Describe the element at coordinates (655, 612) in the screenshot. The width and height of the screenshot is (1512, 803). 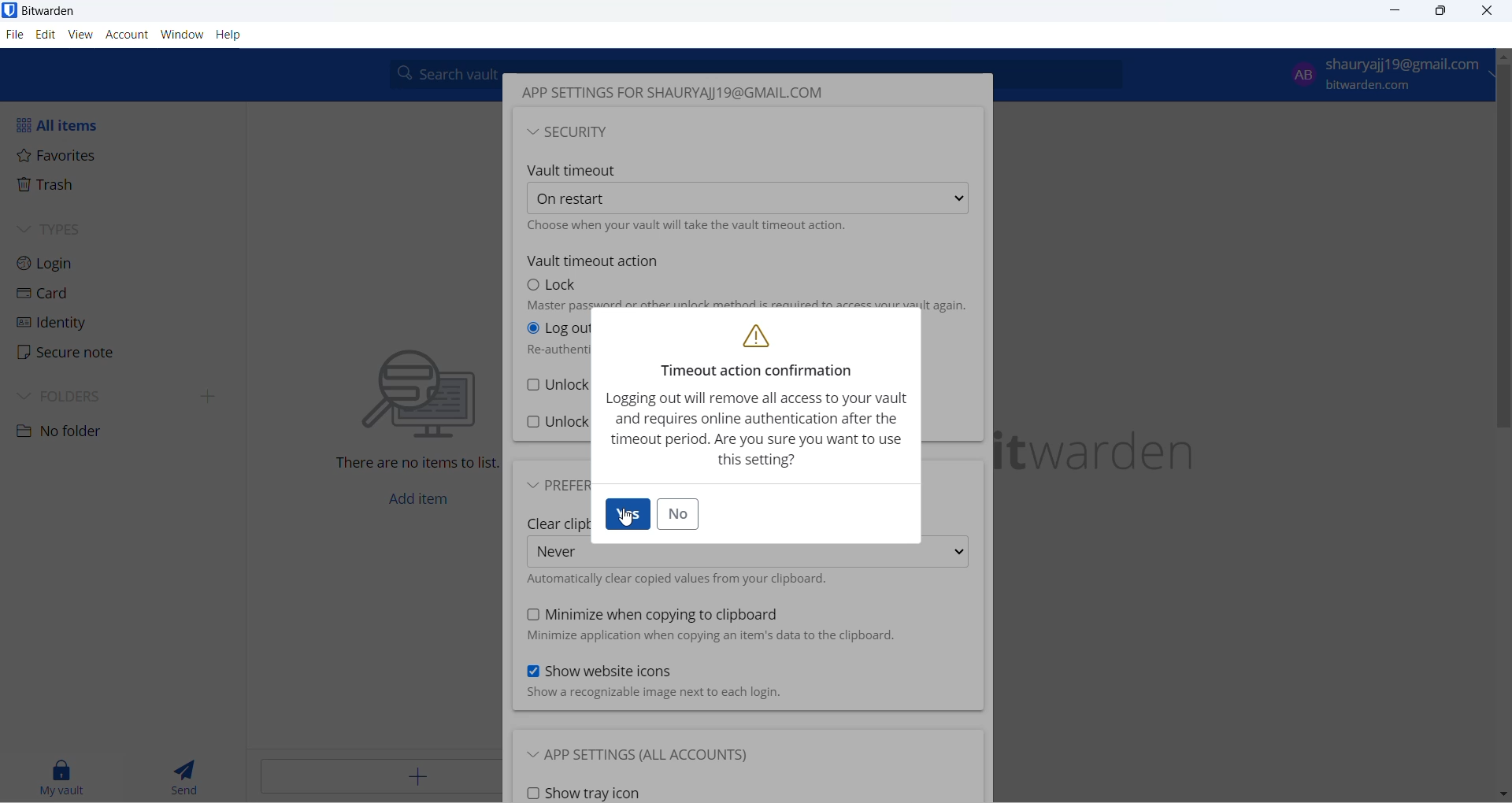
I see `minimize when copying to clipboard` at that location.